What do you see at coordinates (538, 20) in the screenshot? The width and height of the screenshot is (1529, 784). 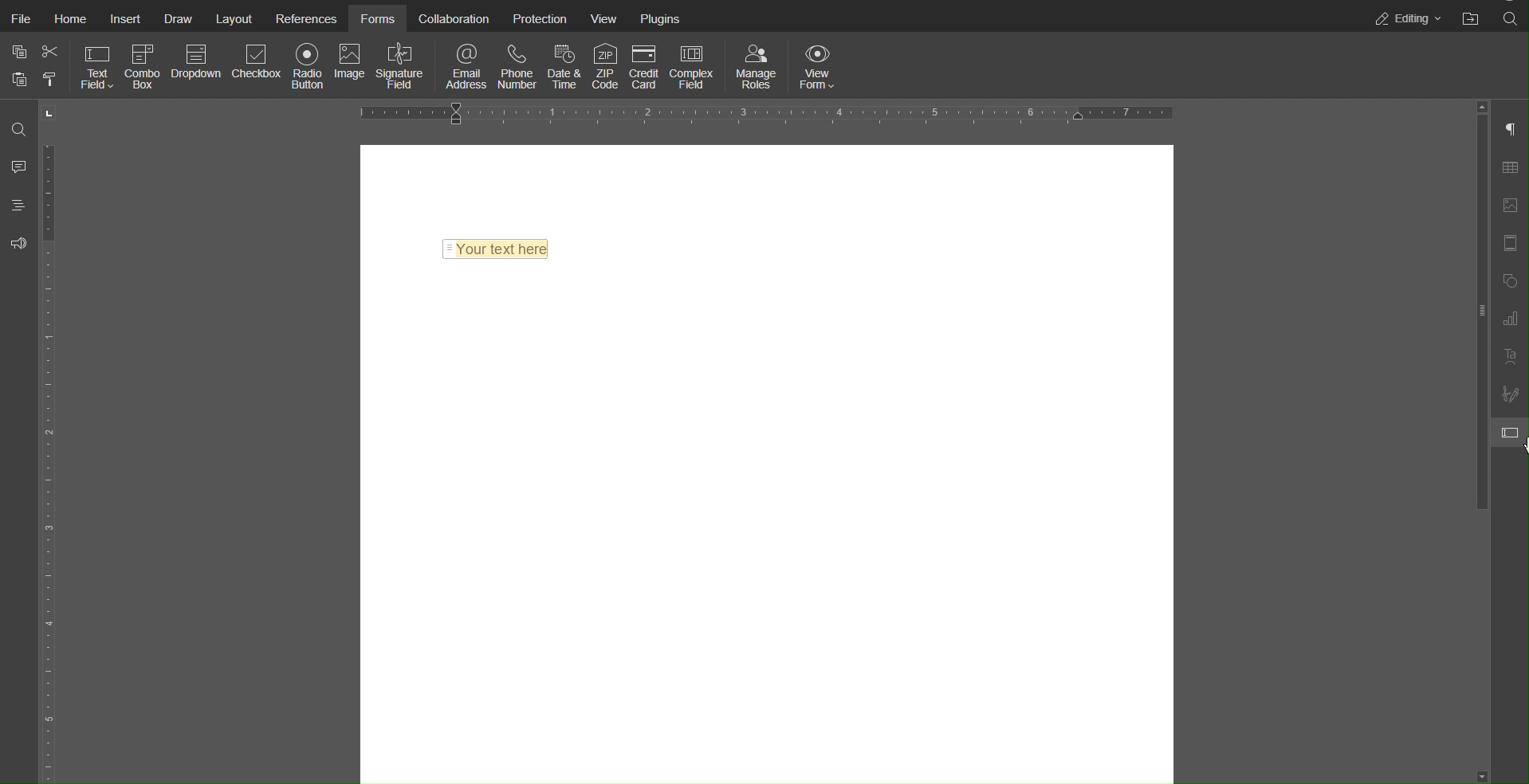 I see `Protection` at bounding box center [538, 20].